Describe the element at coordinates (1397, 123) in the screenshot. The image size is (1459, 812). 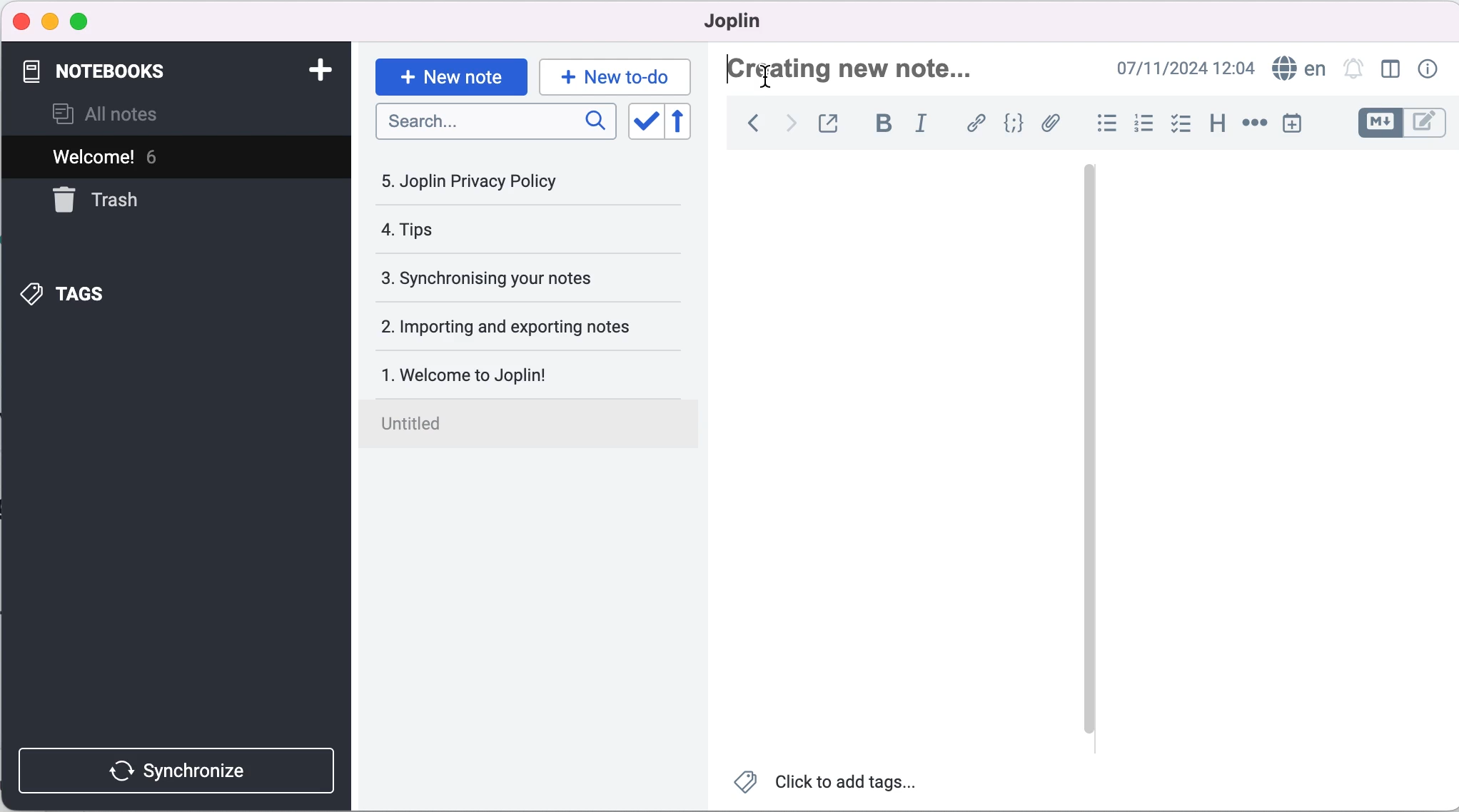
I see `toggle editors` at that location.